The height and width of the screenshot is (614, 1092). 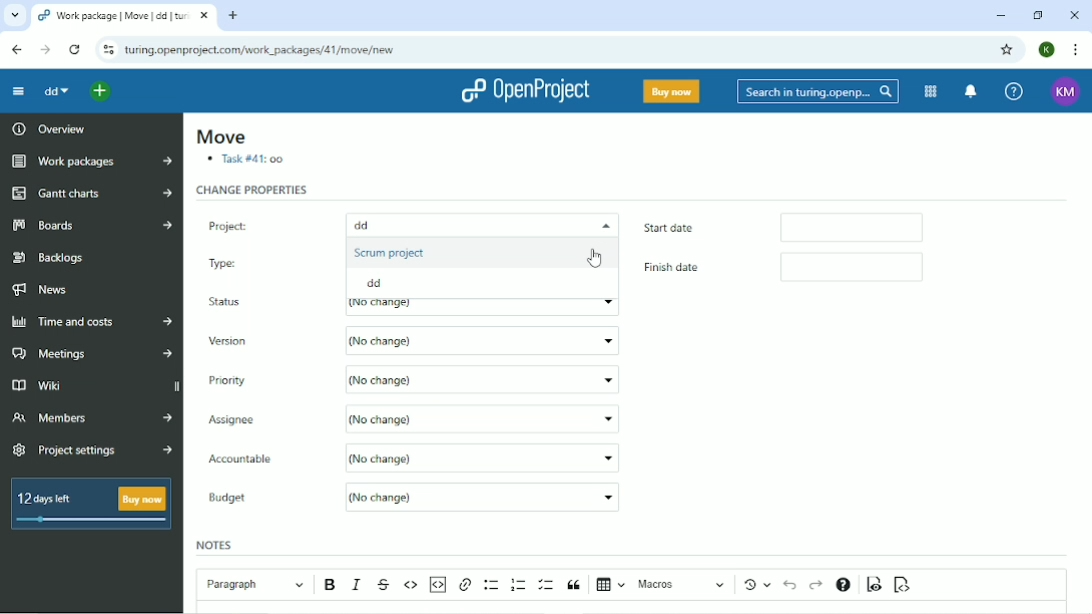 I want to click on Cursor, so click(x=595, y=258).